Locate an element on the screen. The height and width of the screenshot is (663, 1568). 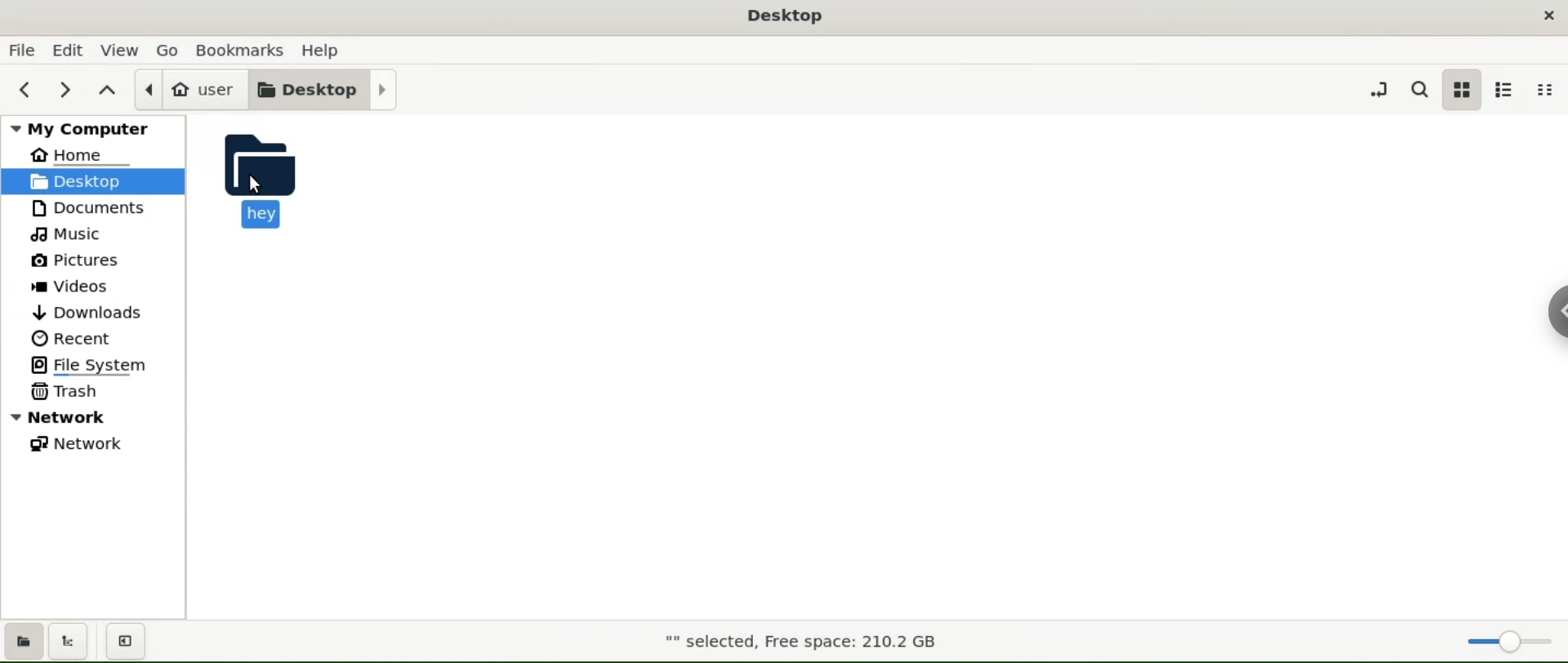
music is located at coordinates (91, 235).